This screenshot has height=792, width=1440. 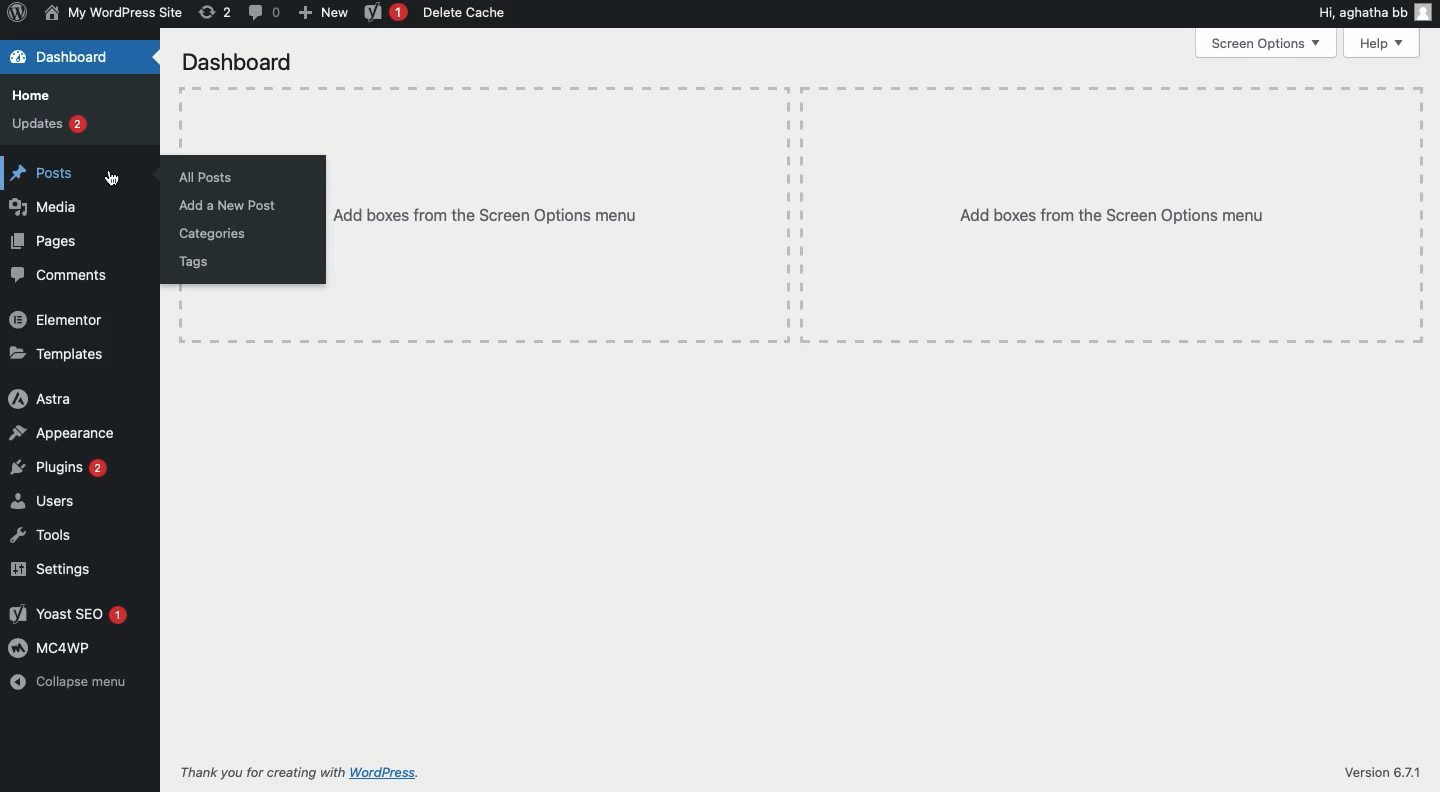 I want to click on Astra, so click(x=41, y=398).